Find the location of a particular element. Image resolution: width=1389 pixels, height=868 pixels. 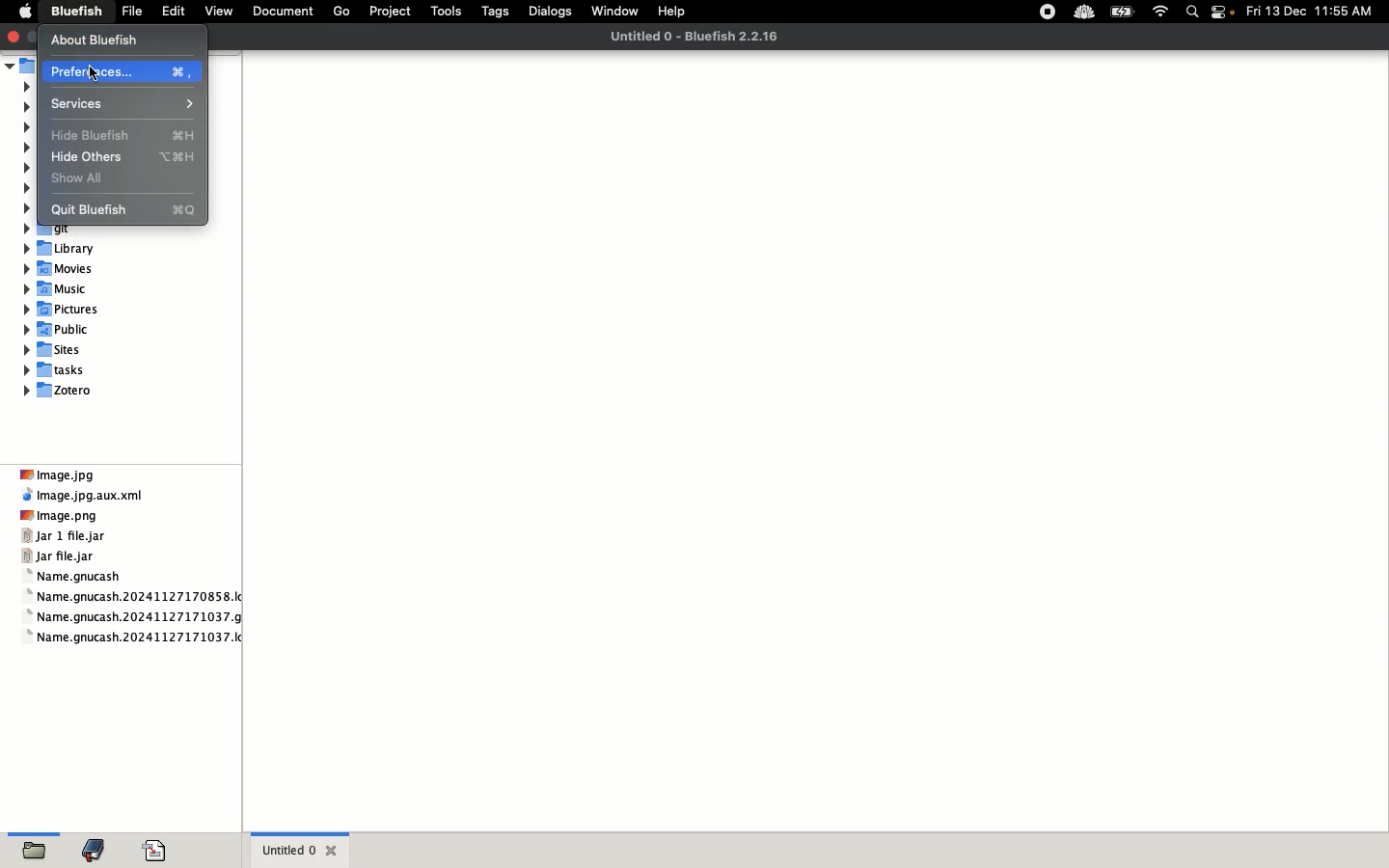

untitled is located at coordinates (302, 849).